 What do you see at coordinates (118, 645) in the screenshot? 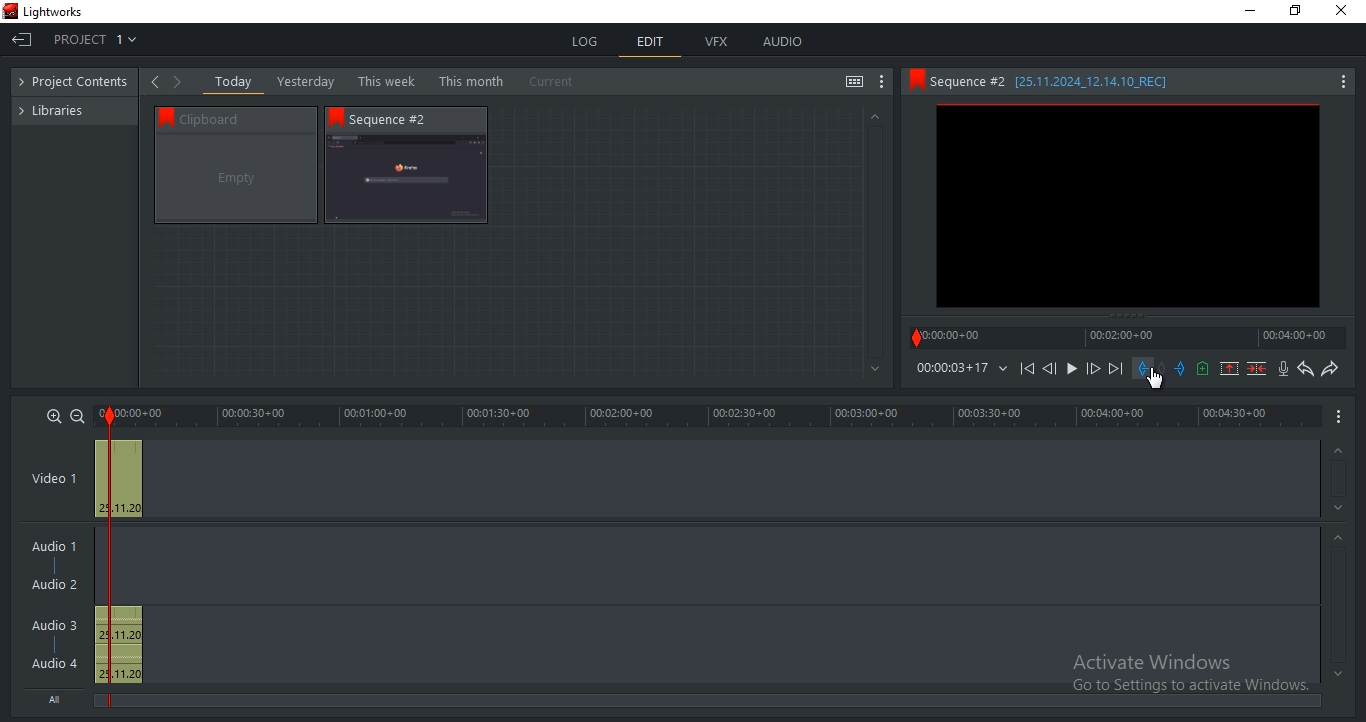
I see `audio` at bounding box center [118, 645].